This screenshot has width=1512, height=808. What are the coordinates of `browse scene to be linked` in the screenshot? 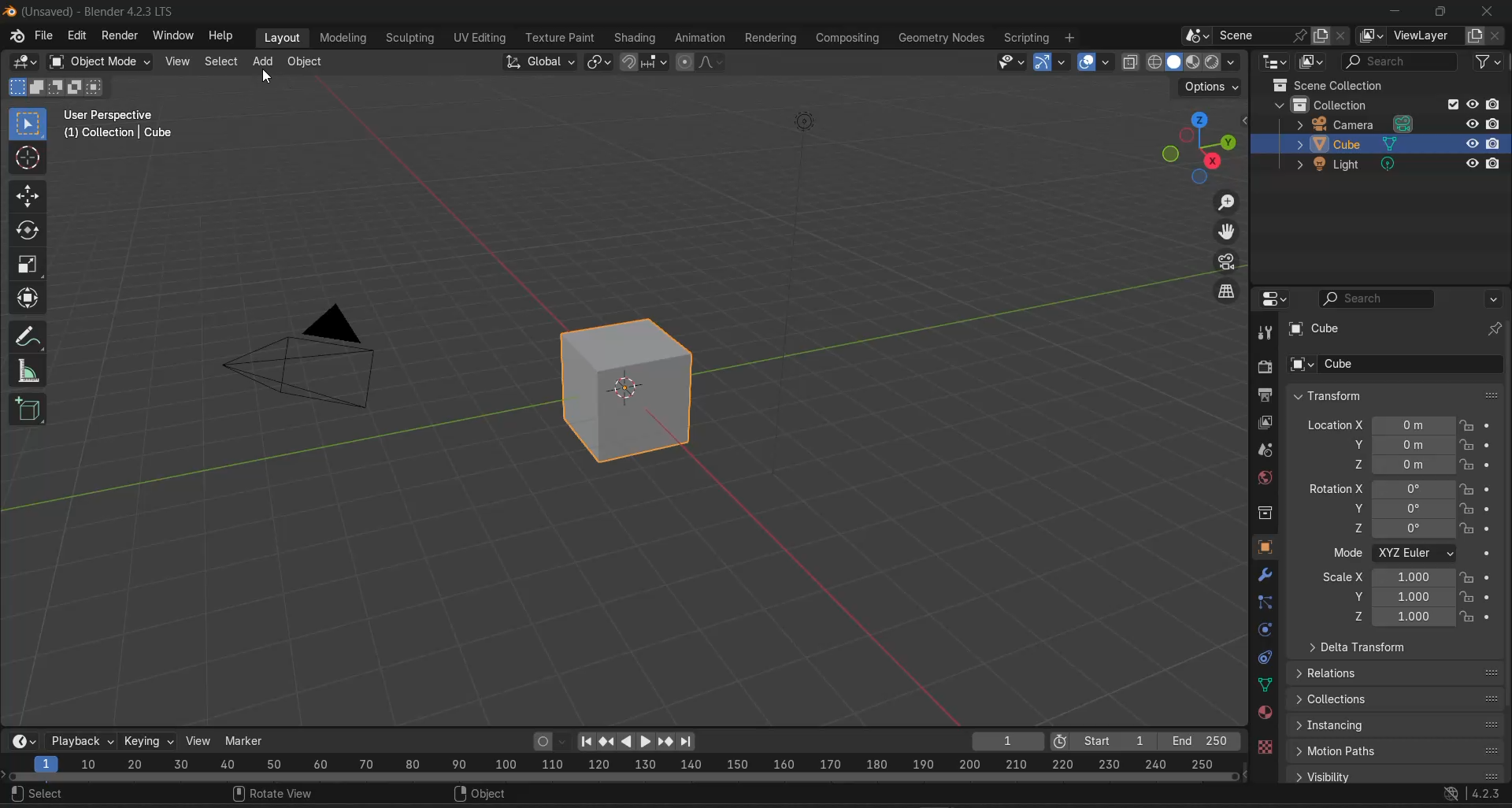 It's located at (1196, 35).